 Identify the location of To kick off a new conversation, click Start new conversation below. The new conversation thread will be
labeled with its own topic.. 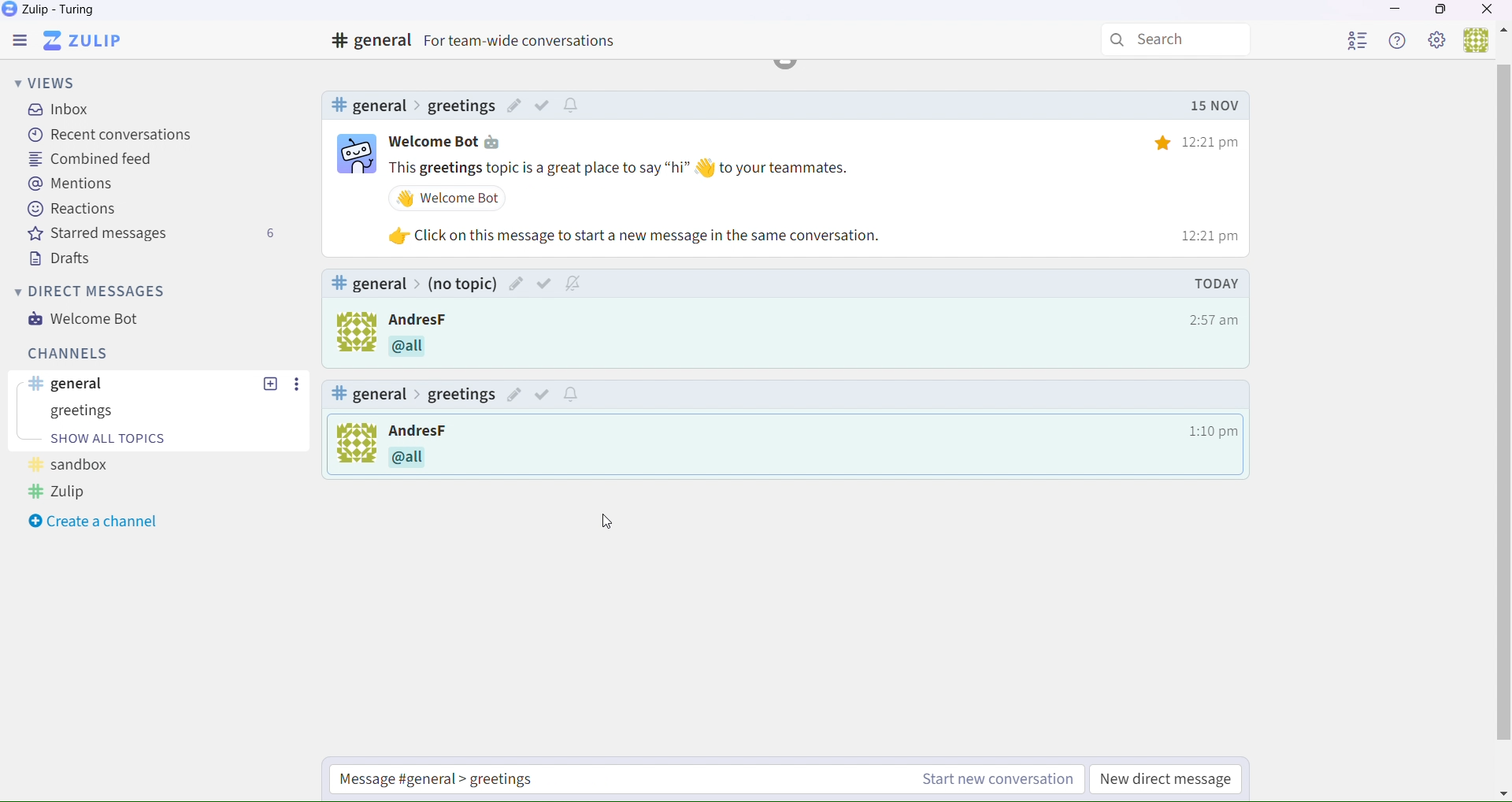
(353, 447).